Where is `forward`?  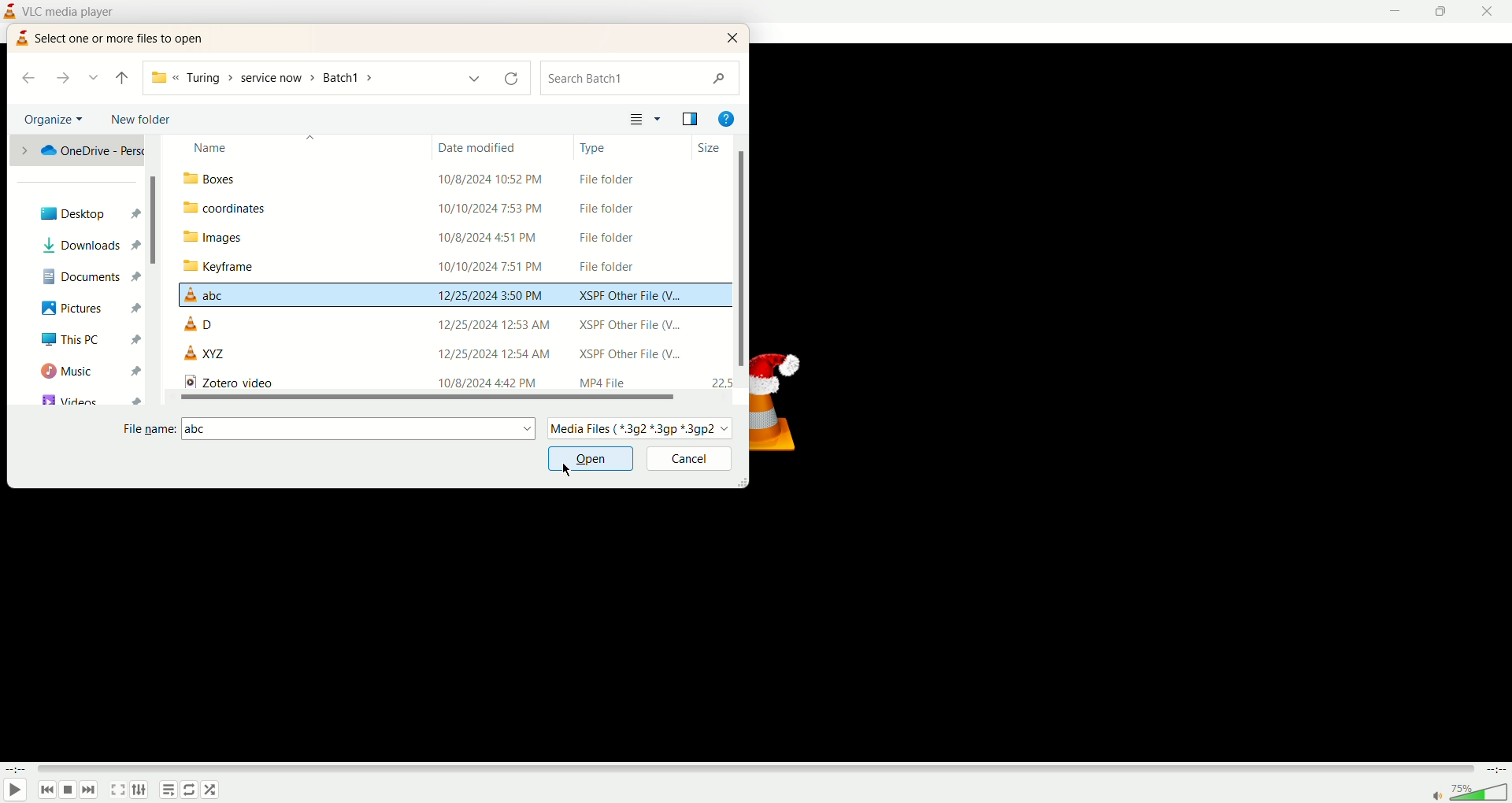
forward is located at coordinates (63, 80).